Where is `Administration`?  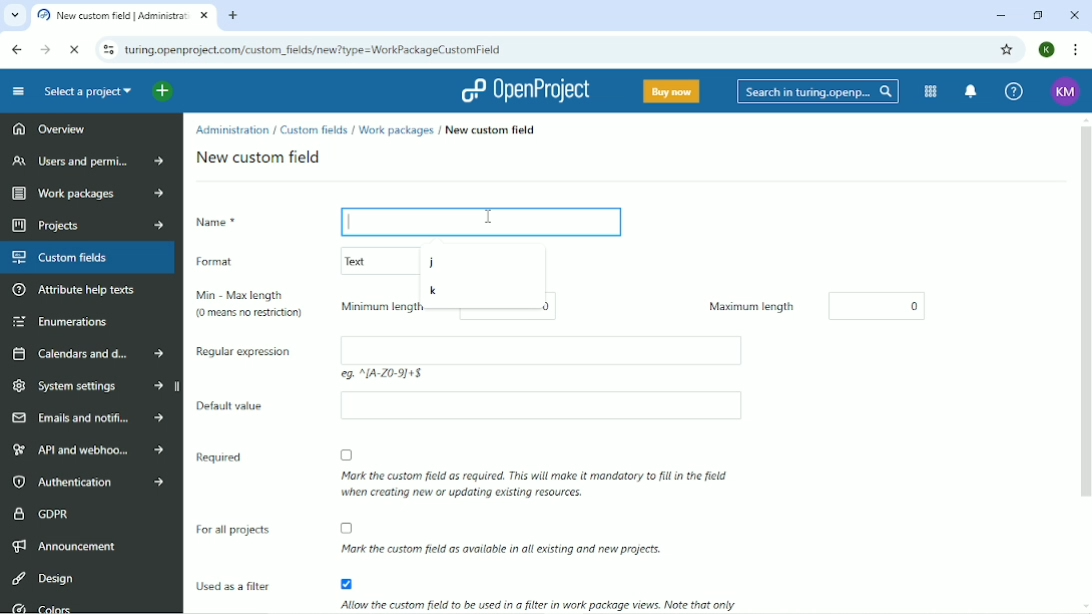 Administration is located at coordinates (232, 130).